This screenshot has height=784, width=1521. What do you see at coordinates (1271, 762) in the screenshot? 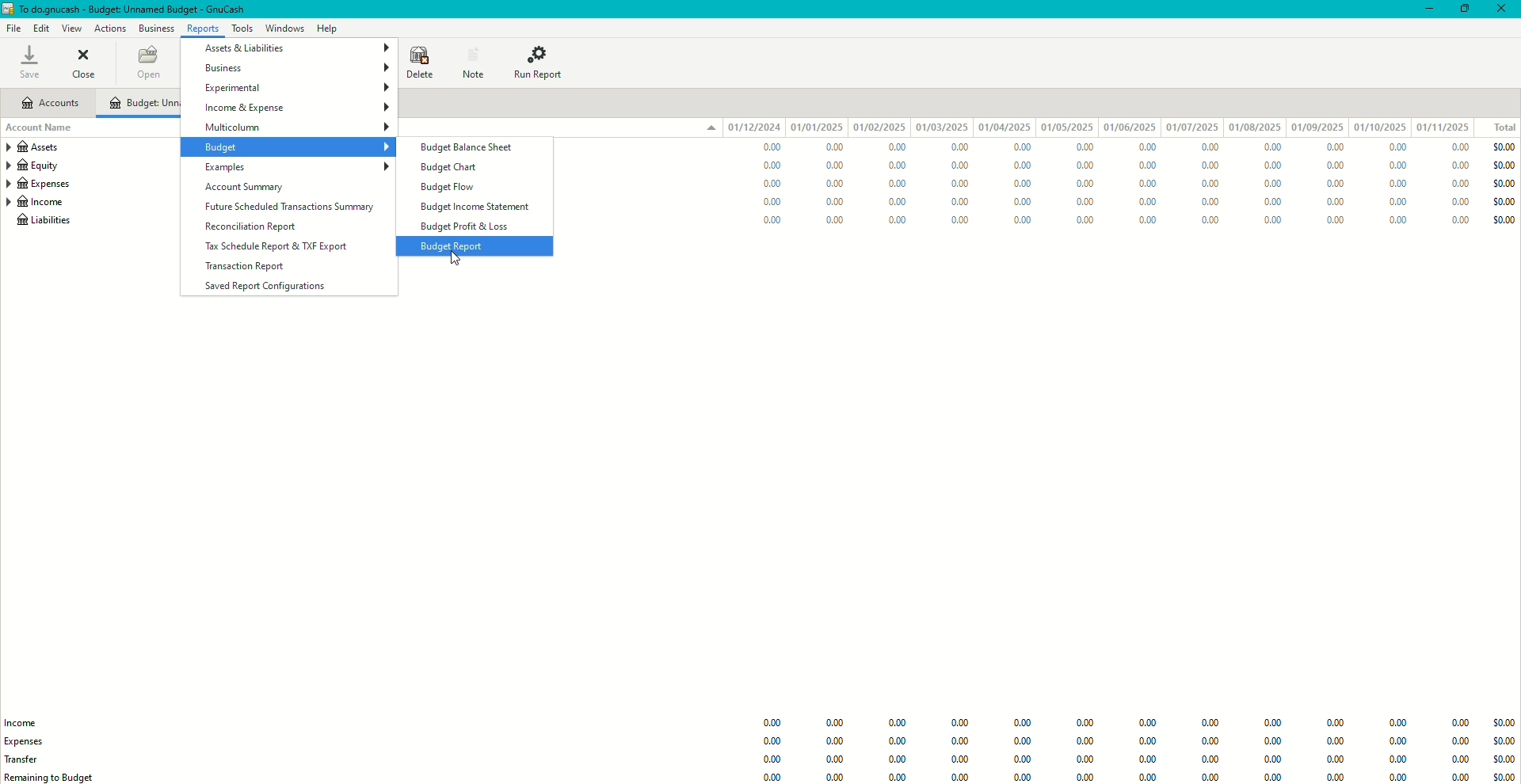
I see `0.00` at bounding box center [1271, 762].